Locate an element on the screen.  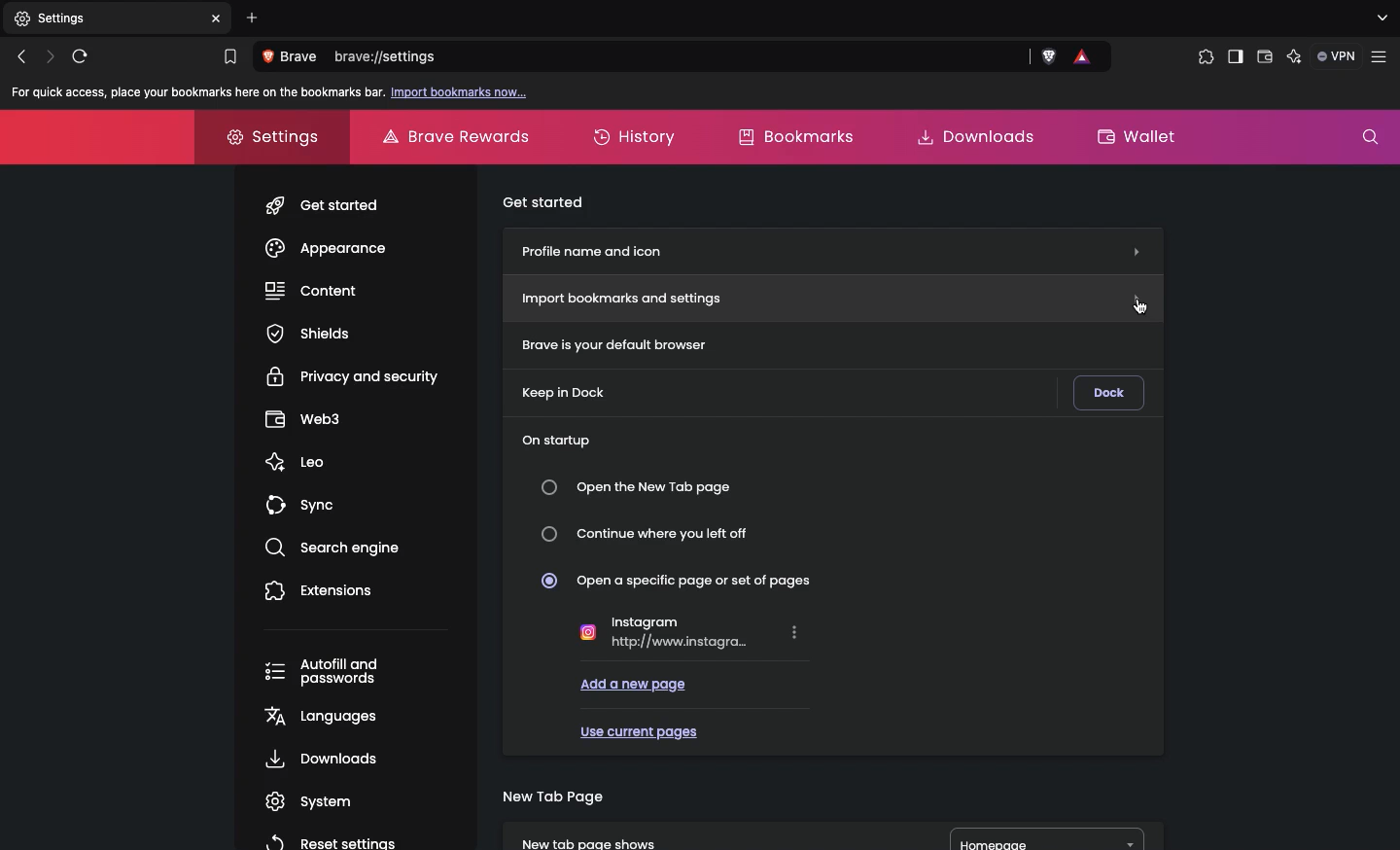
Bookmarks is located at coordinates (228, 57).